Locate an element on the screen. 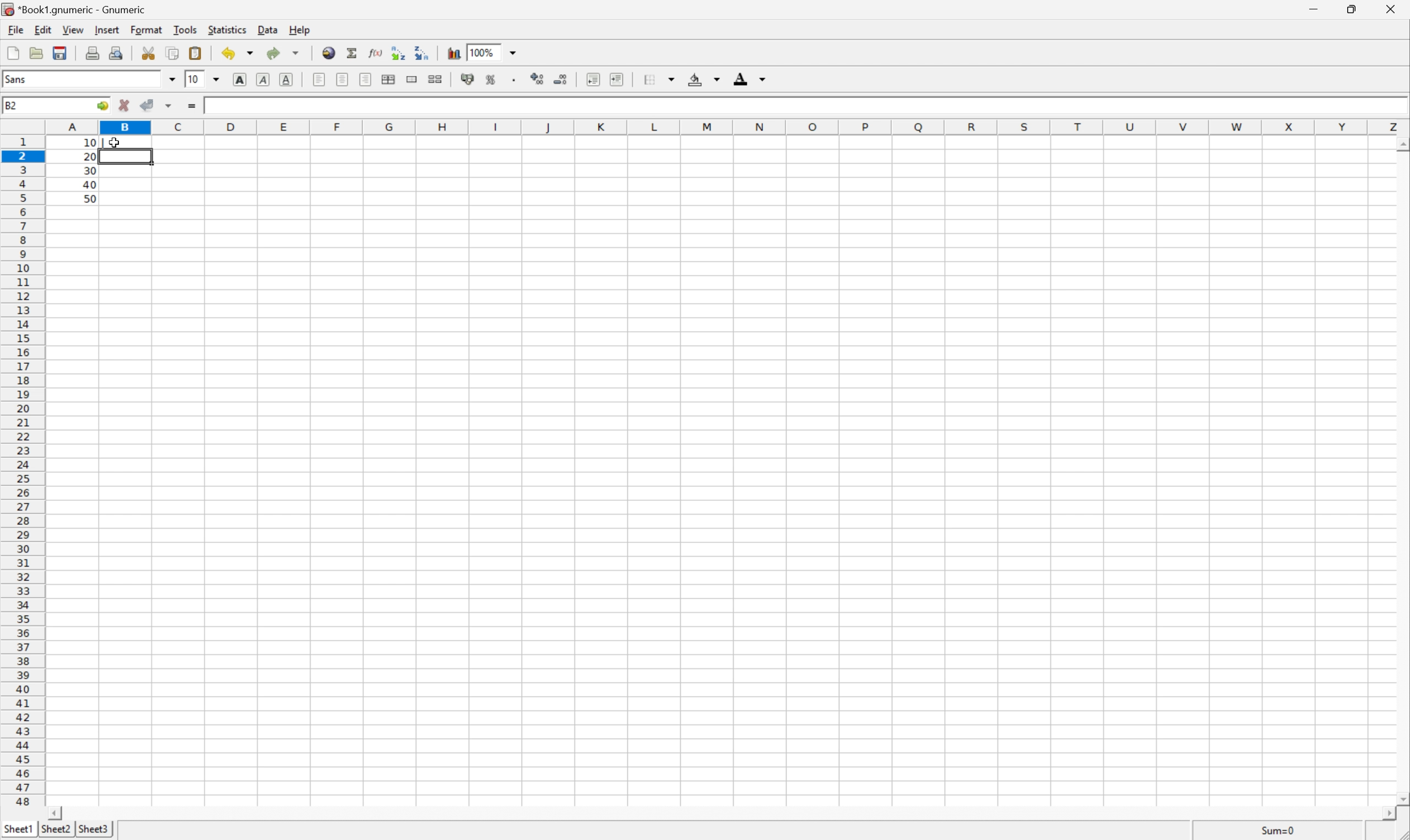 The height and width of the screenshot is (840, 1410). Center horizontally across selection is located at coordinates (389, 80).